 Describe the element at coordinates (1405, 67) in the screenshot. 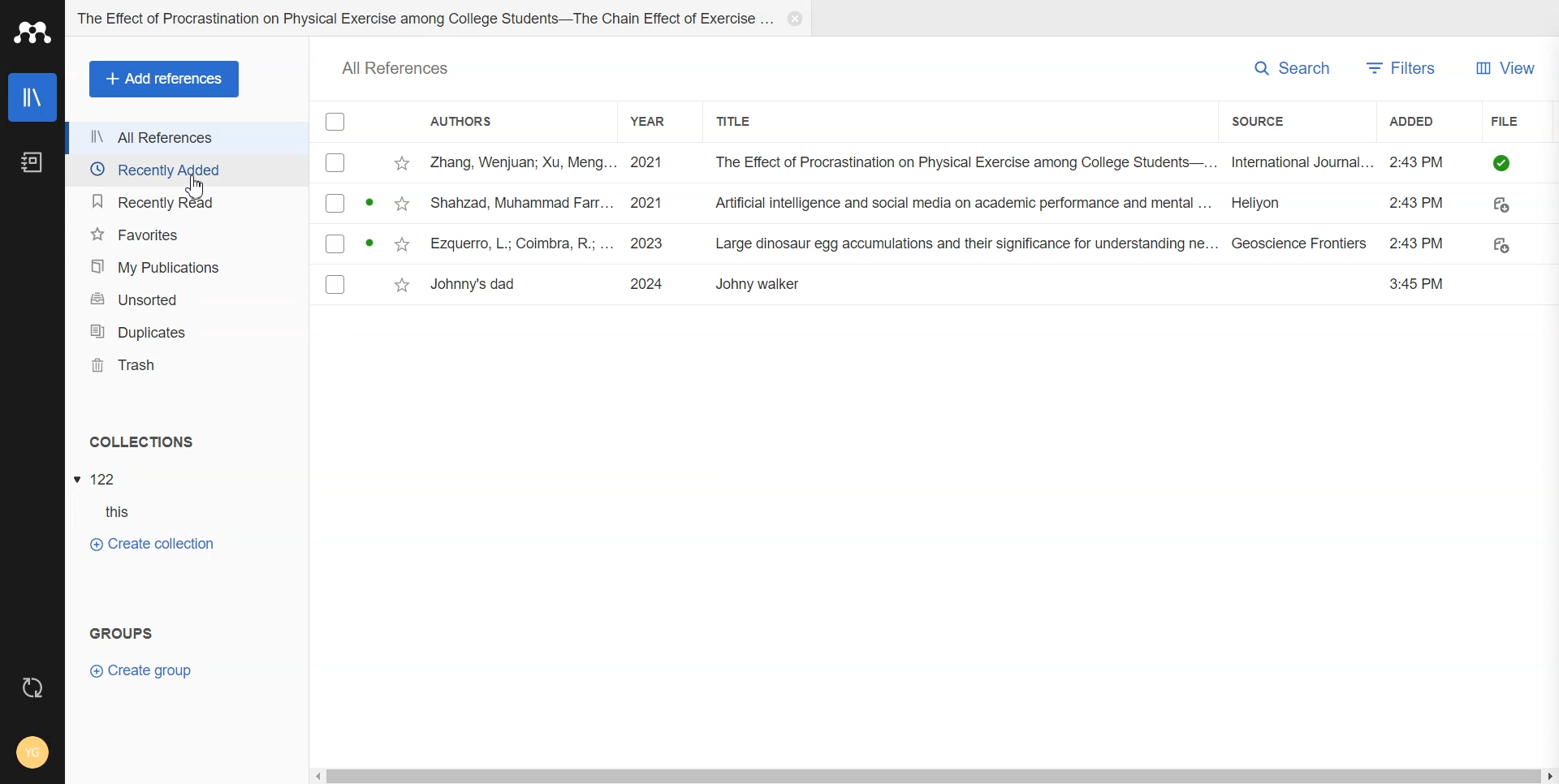

I see `Filter` at that location.